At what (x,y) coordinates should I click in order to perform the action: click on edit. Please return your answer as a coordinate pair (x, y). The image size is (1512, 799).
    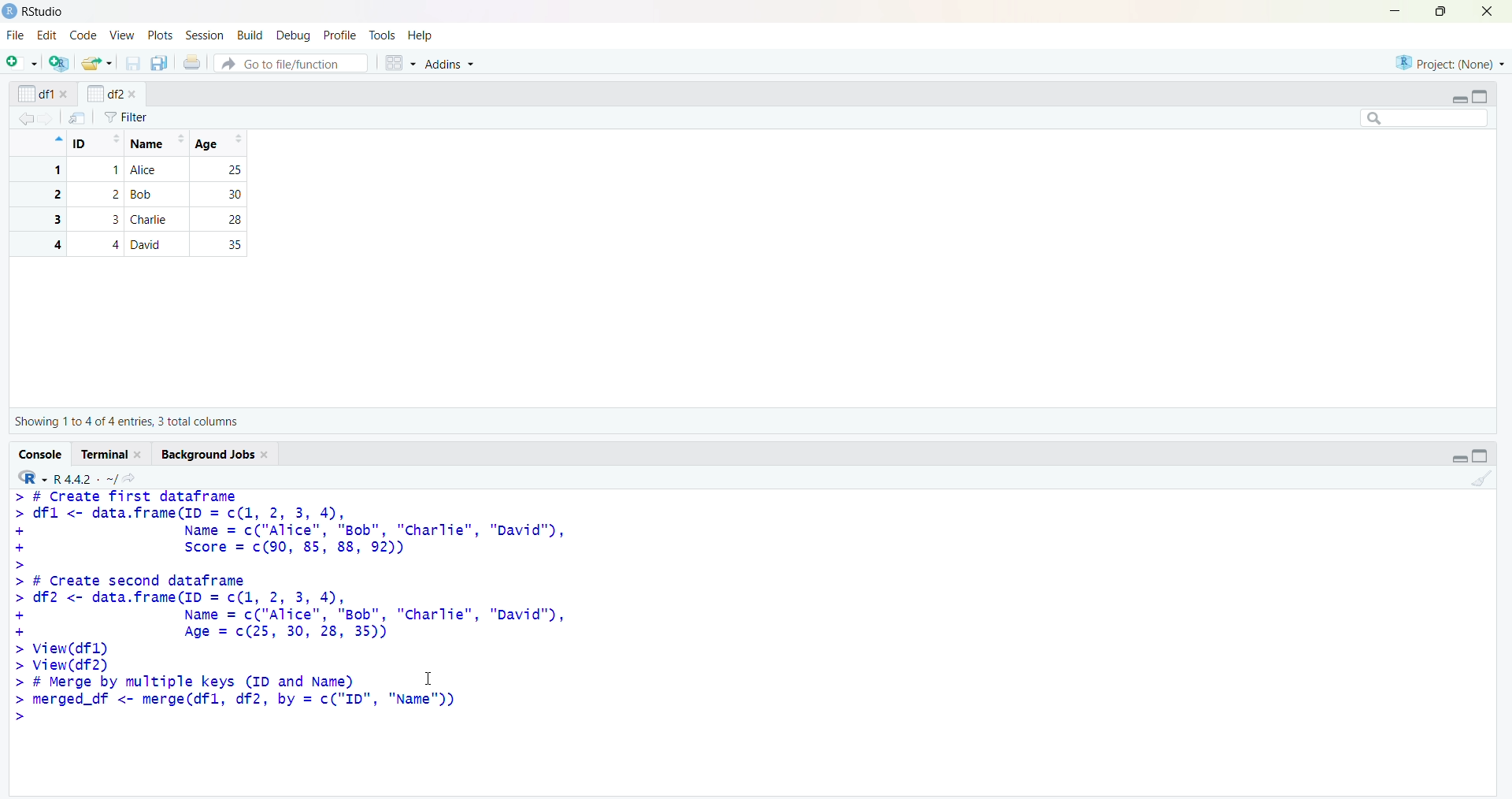
    Looking at the image, I should click on (47, 35).